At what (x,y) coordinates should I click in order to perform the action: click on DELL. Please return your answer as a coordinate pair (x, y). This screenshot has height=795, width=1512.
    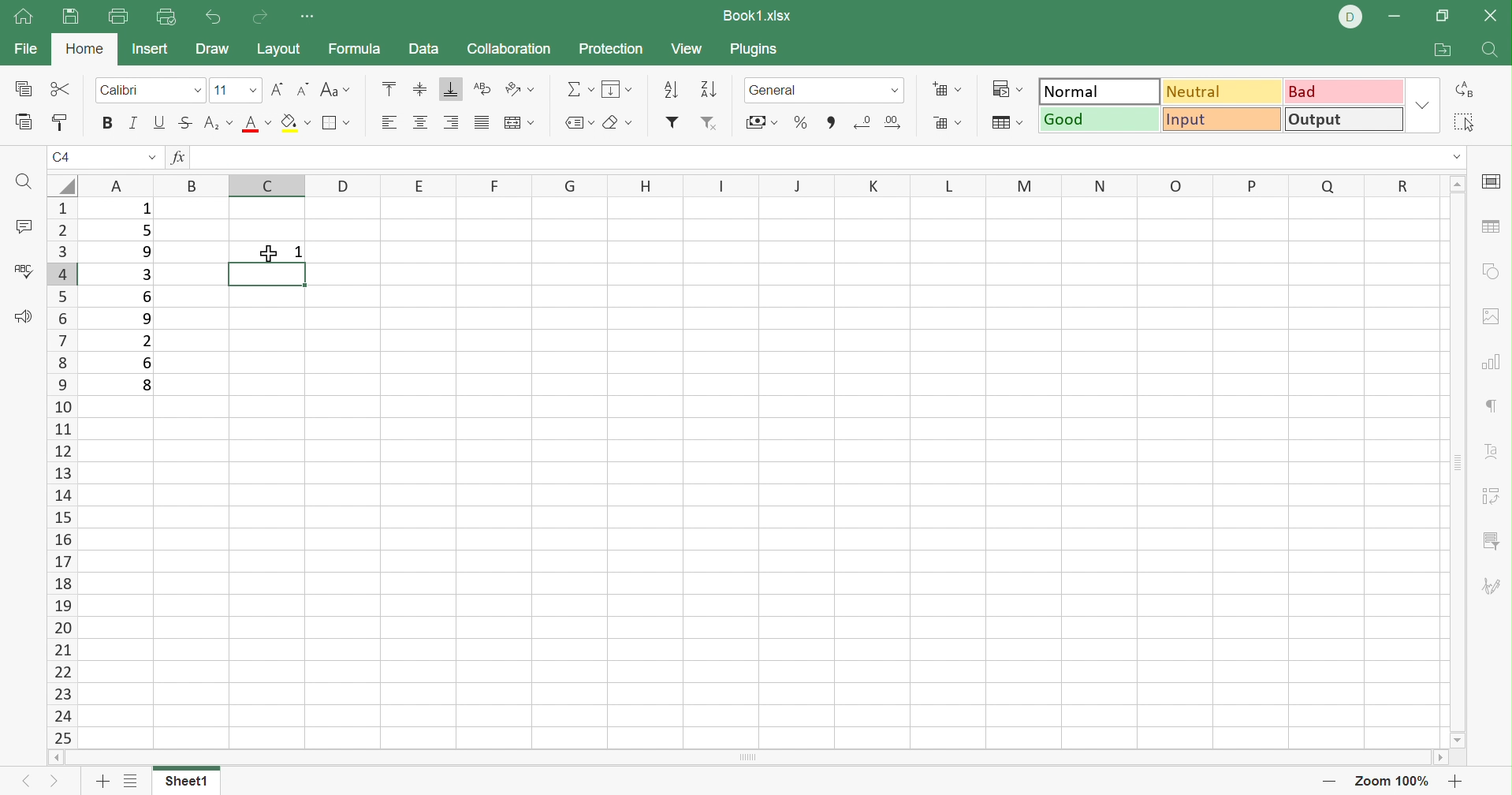
    Looking at the image, I should click on (1348, 17).